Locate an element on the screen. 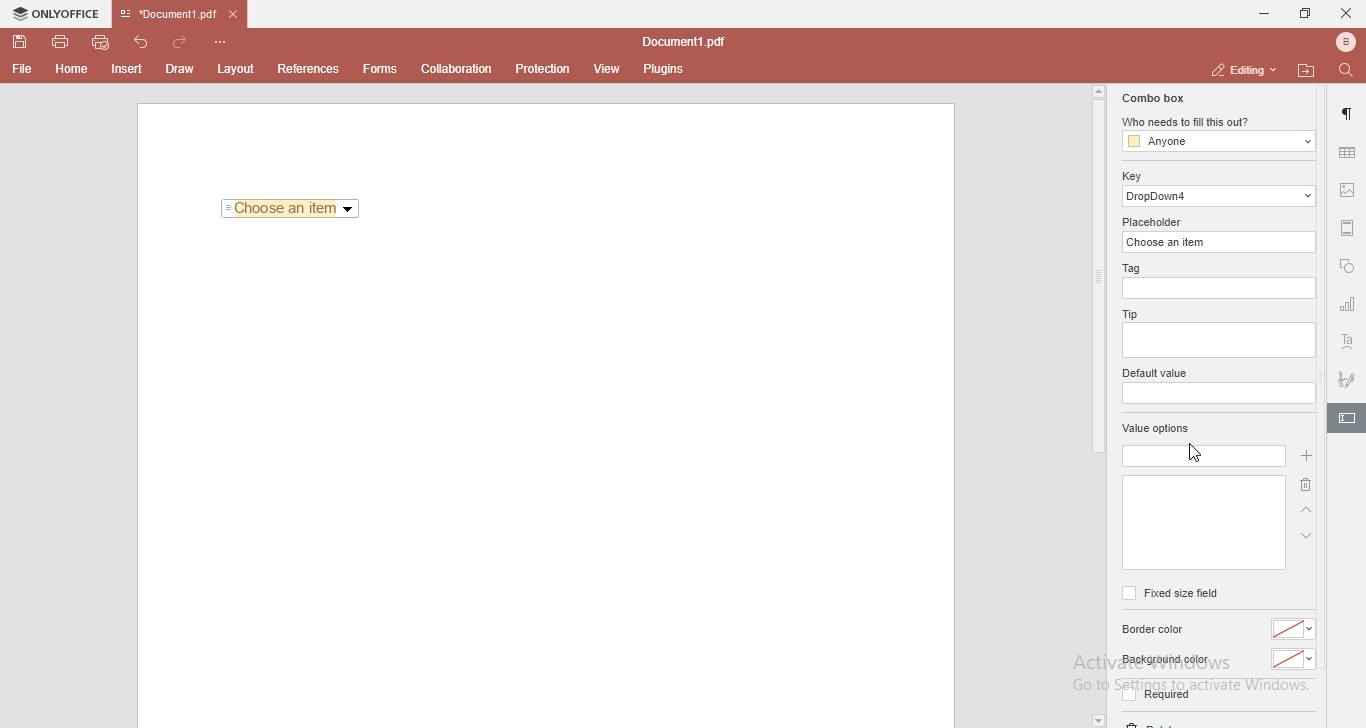  who needs to fill this out? is located at coordinates (1216, 123).